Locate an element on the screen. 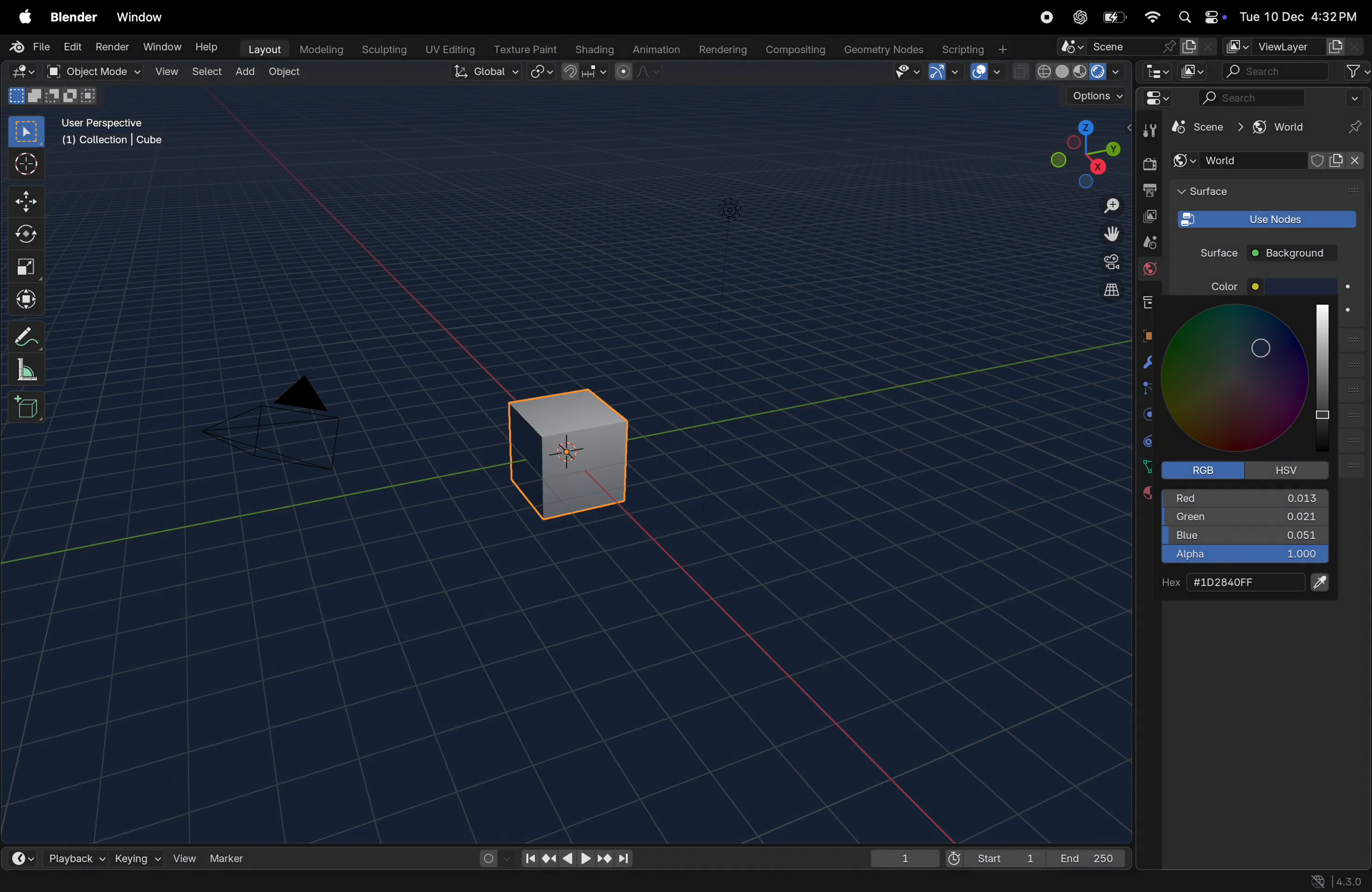 The width and height of the screenshot is (1372, 892). Particles is located at coordinates (1149, 390).